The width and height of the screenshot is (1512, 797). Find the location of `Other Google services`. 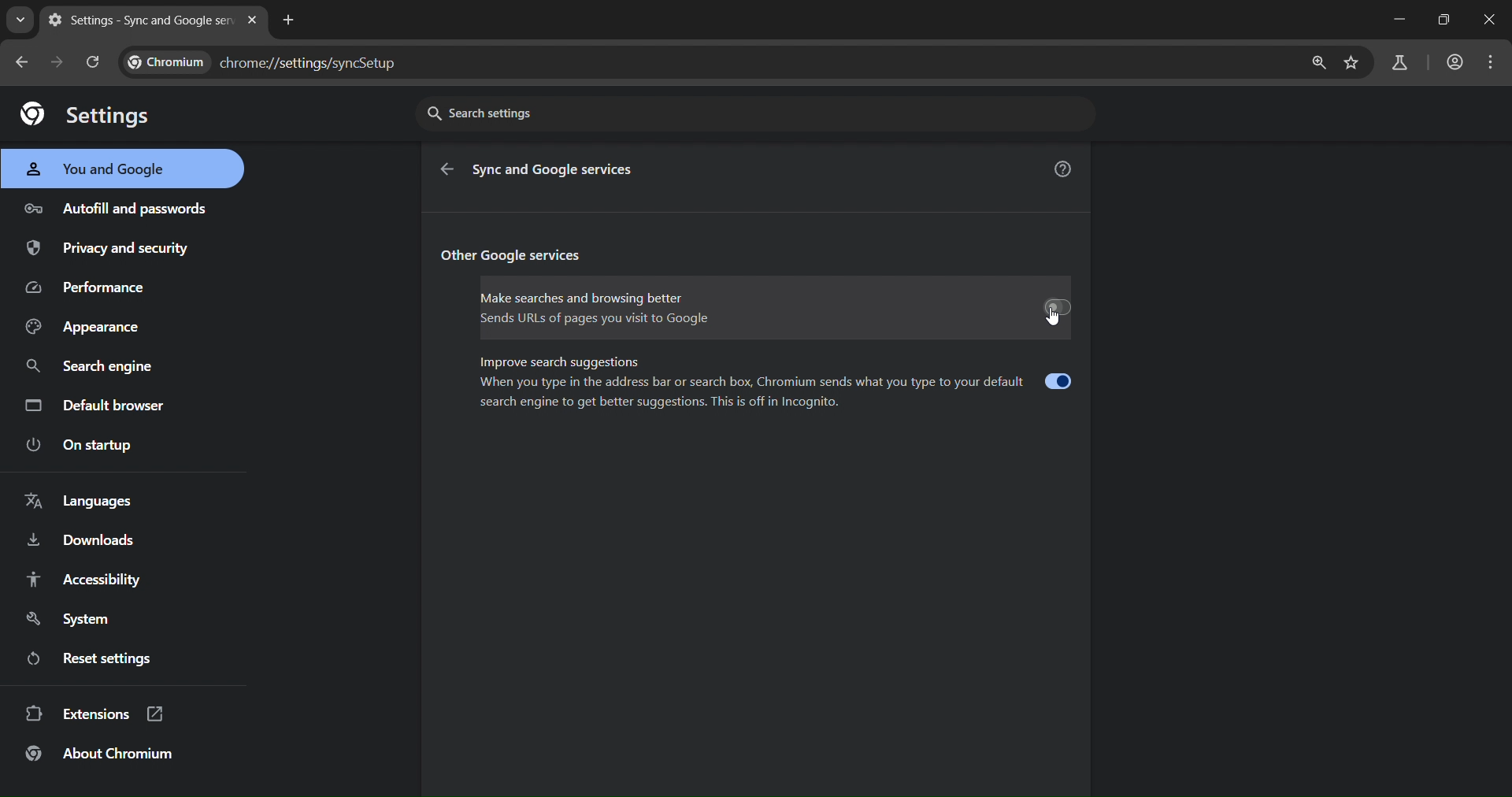

Other Google services is located at coordinates (515, 257).